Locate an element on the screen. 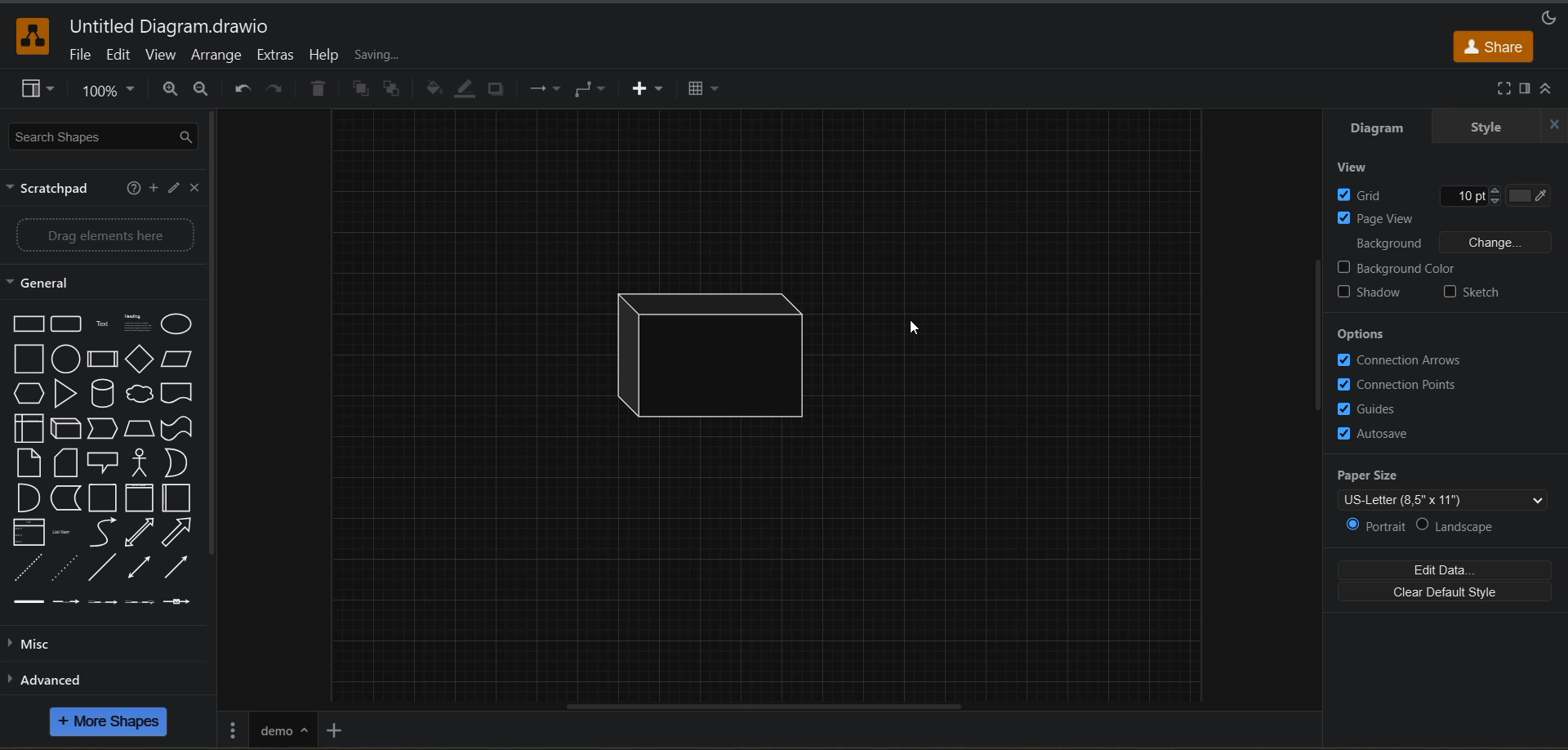 The width and height of the screenshot is (1568, 750). help is located at coordinates (133, 190).